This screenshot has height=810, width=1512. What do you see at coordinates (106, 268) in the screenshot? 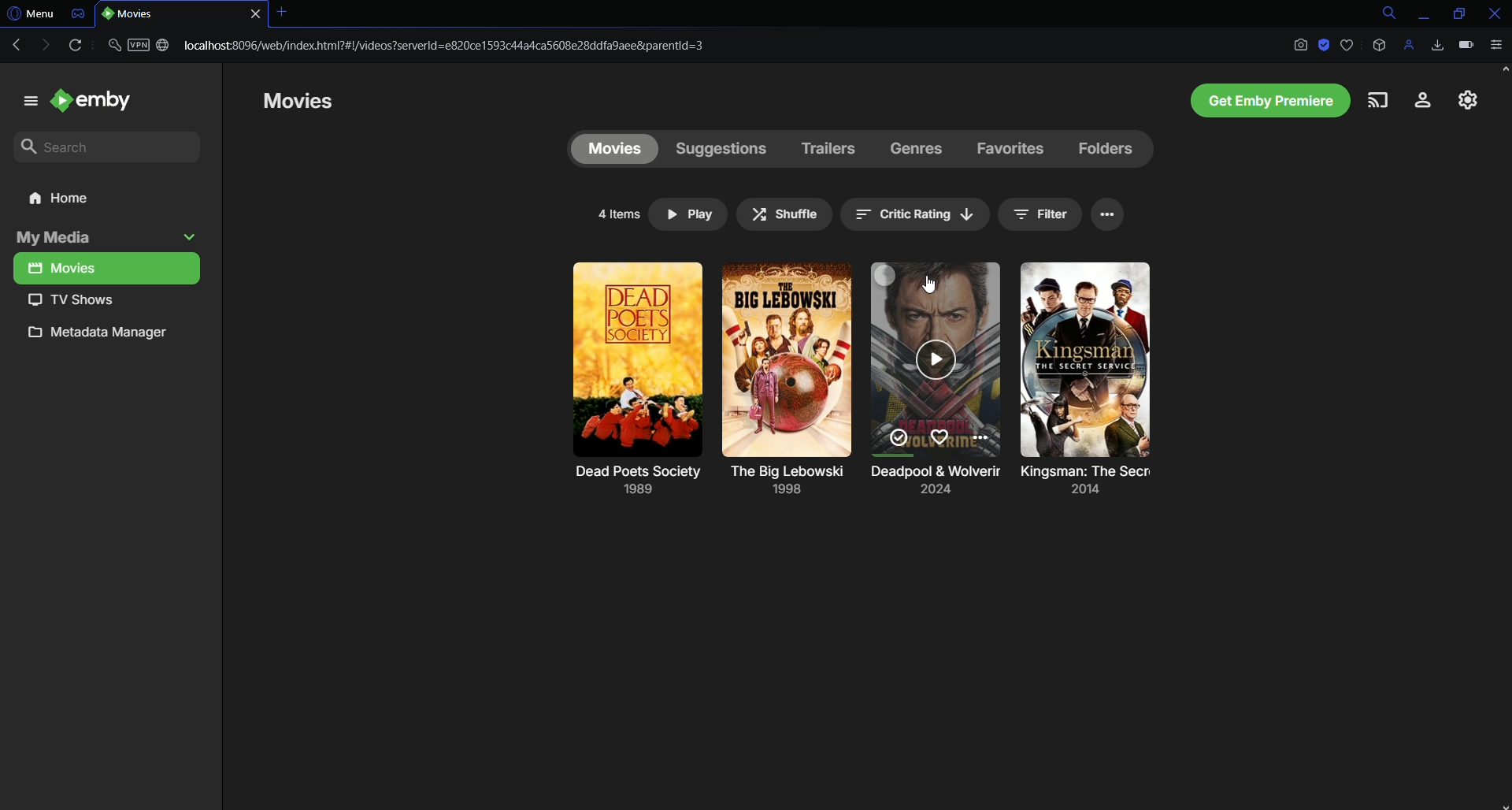
I see `Movies` at bounding box center [106, 268].